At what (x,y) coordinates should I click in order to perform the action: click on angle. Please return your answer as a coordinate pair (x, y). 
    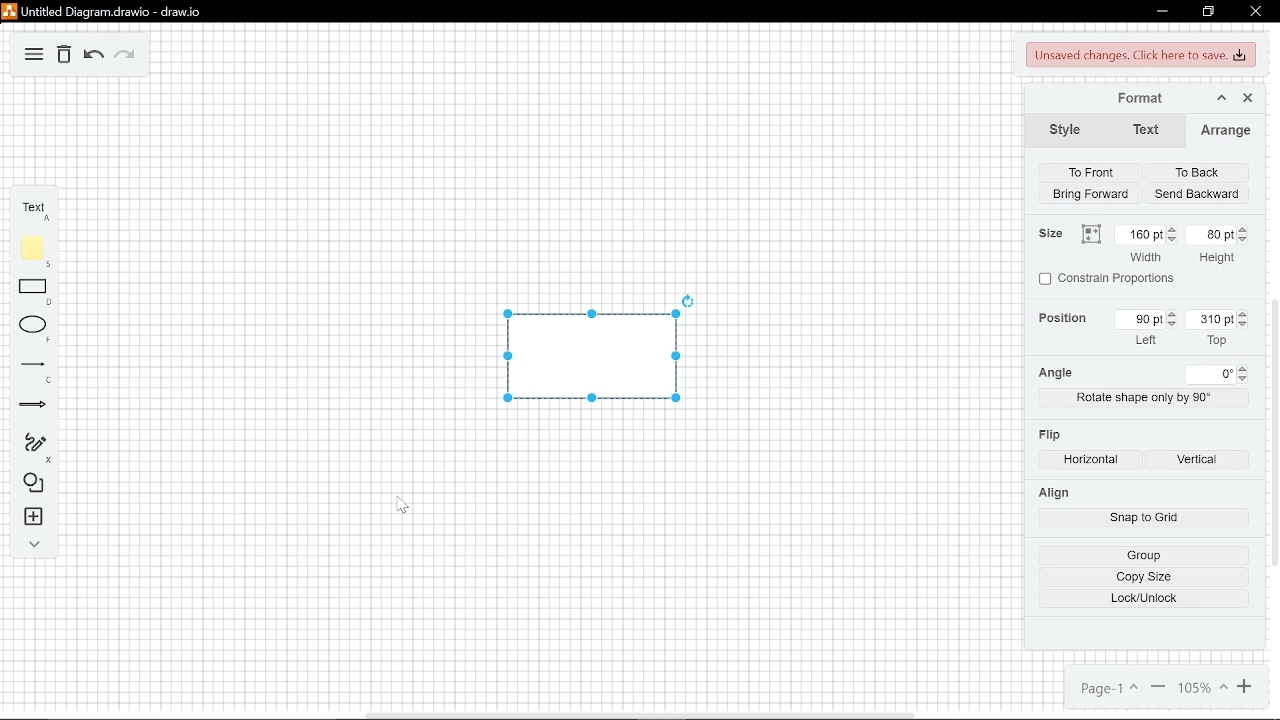
    Looking at the image, I should click on (1058, 371).